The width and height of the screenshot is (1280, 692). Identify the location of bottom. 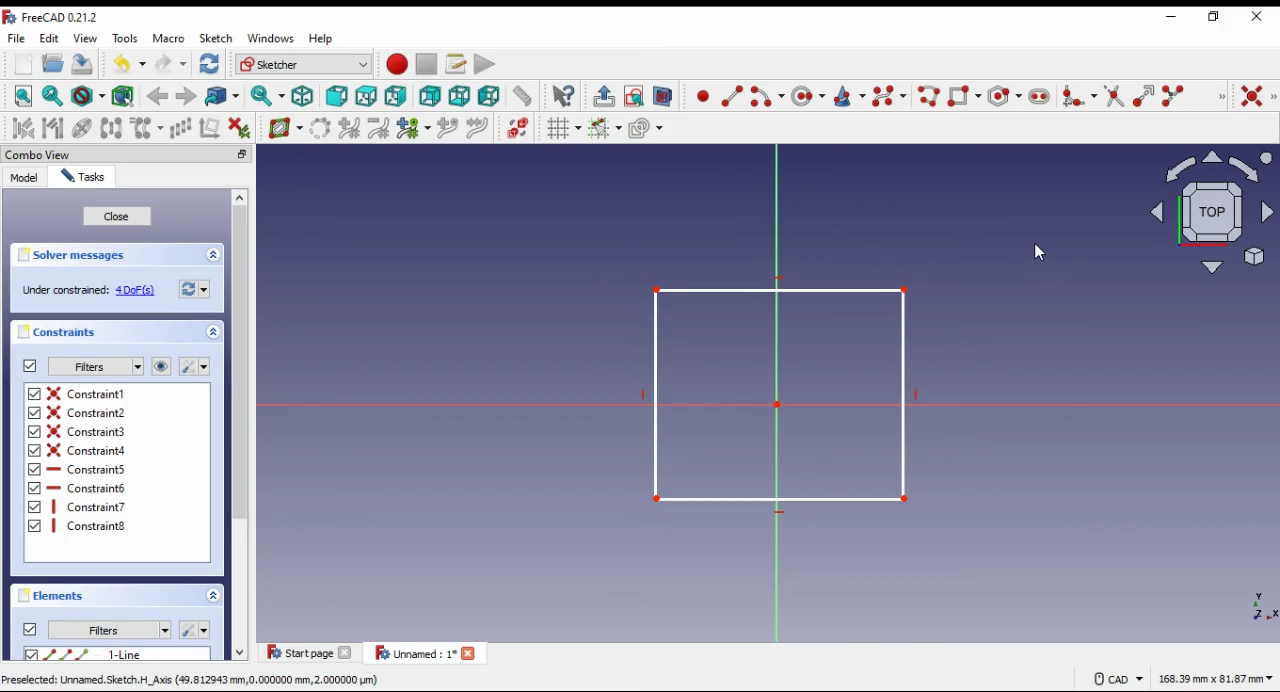
(459, 96).